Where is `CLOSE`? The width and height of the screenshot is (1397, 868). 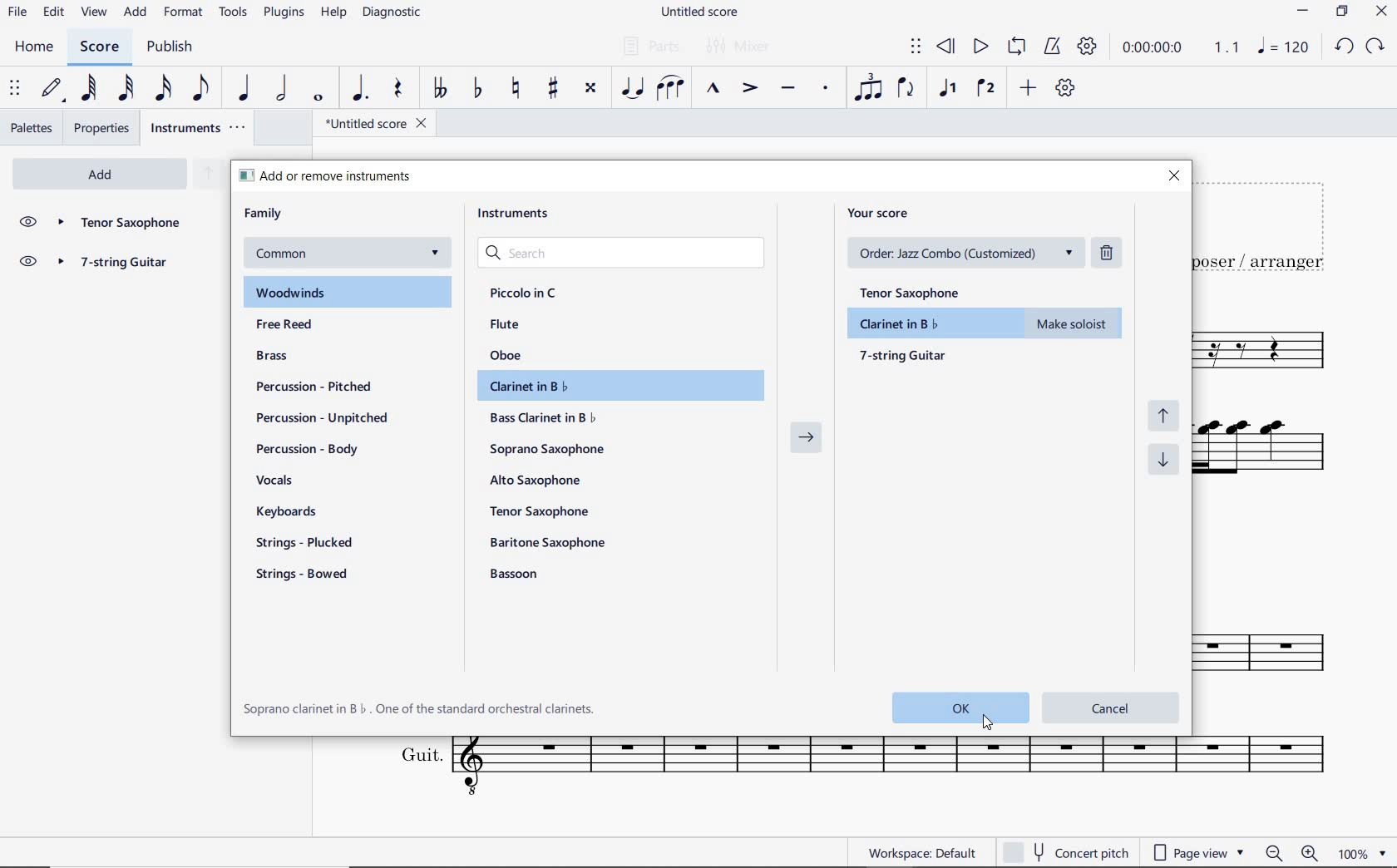 CLOSE is located at coordinates (1381, 12).